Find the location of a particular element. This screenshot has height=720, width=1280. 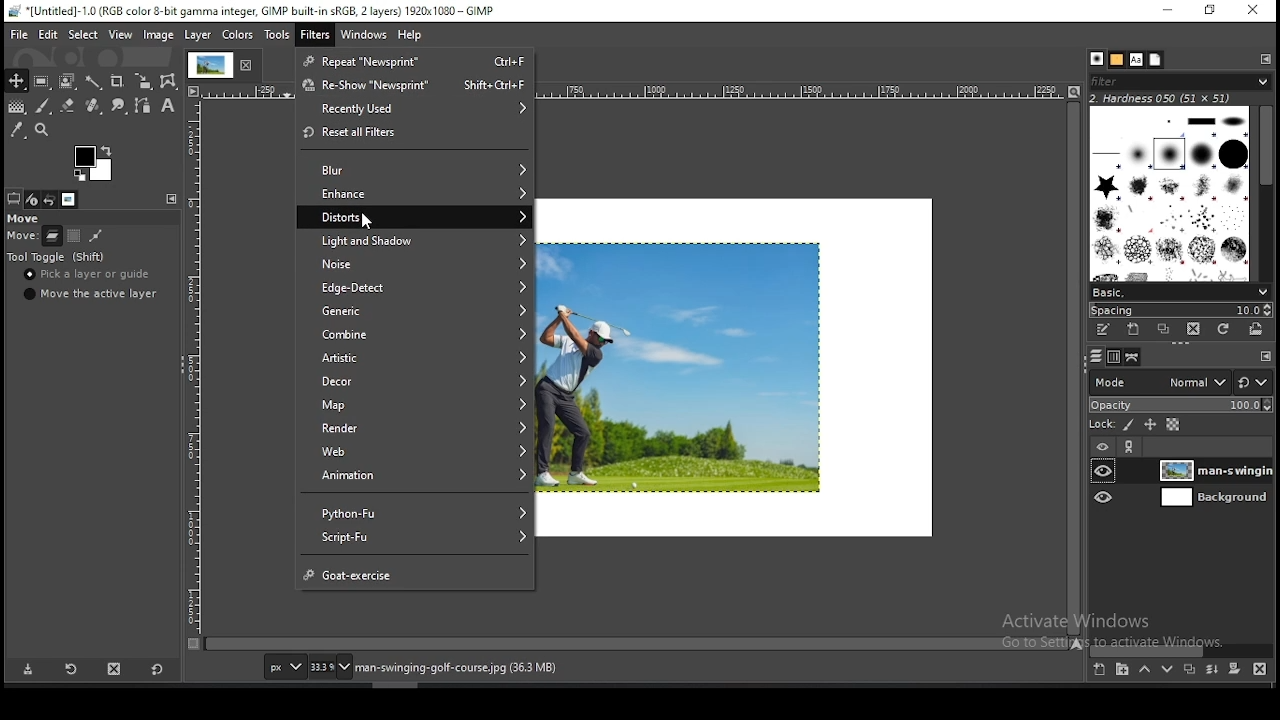

undo history is located at coordinates (48, 199).